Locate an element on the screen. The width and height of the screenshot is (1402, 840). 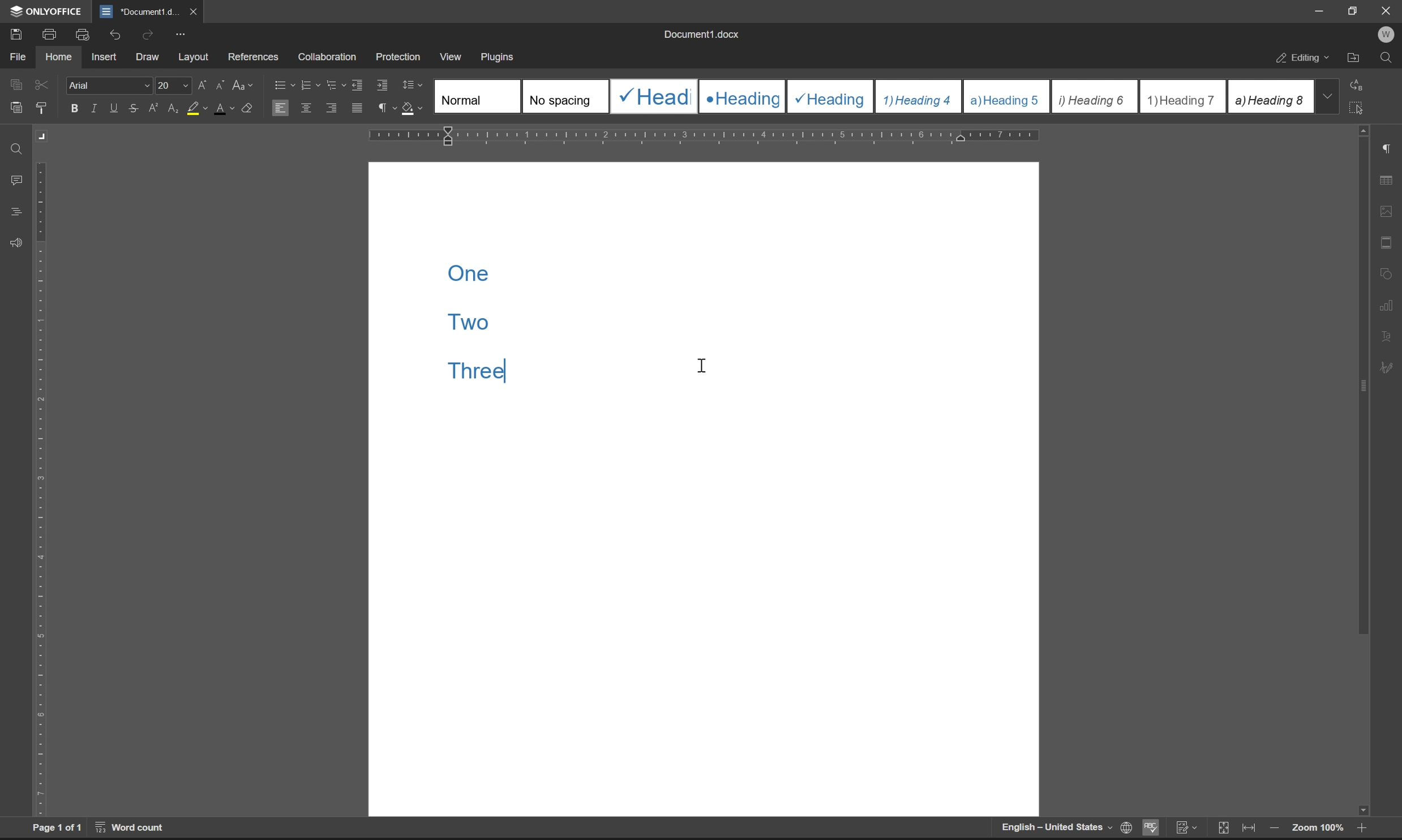
increase indent is located at coordinates (383, 85).